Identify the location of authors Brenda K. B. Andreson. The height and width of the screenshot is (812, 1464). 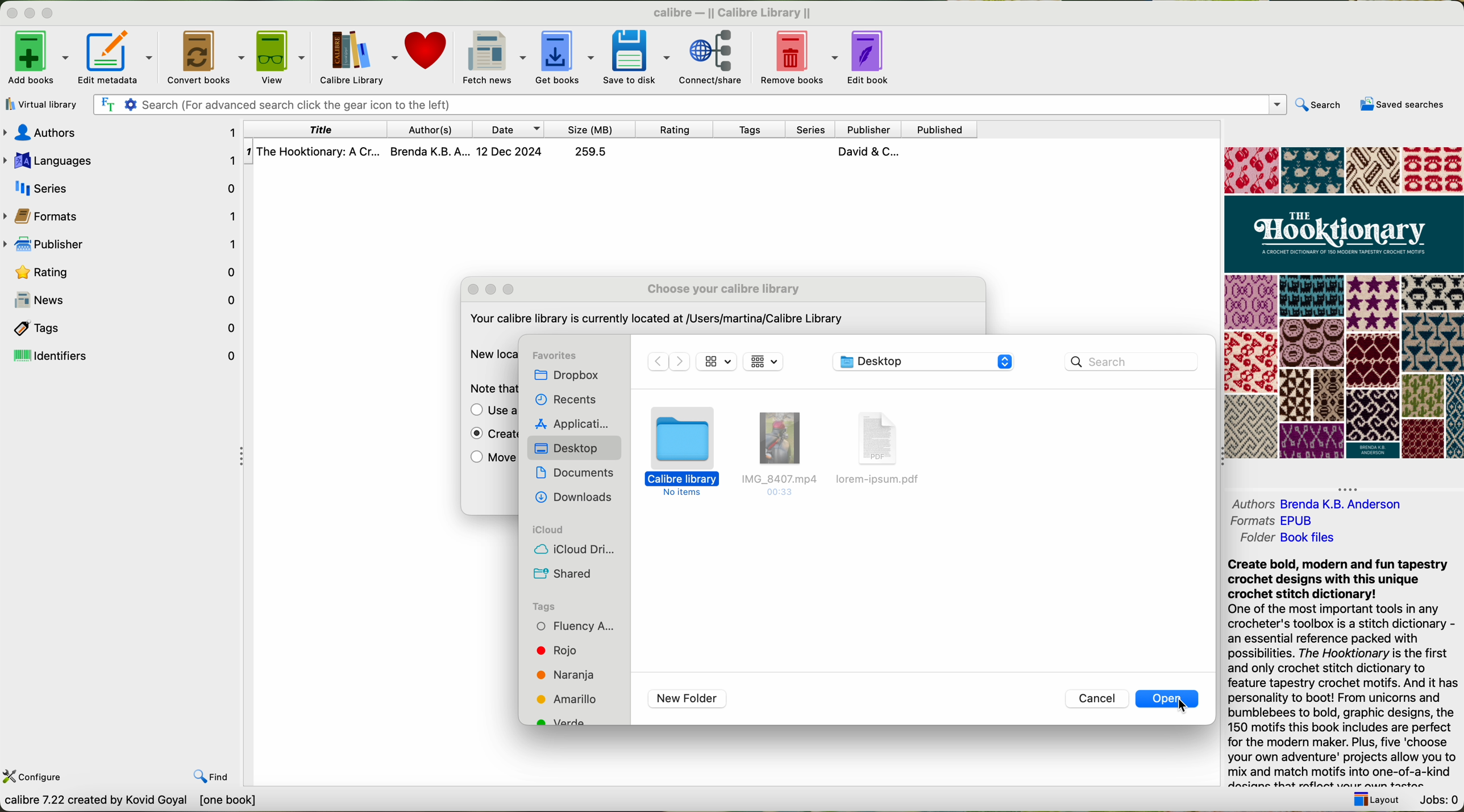
(1316, 504).